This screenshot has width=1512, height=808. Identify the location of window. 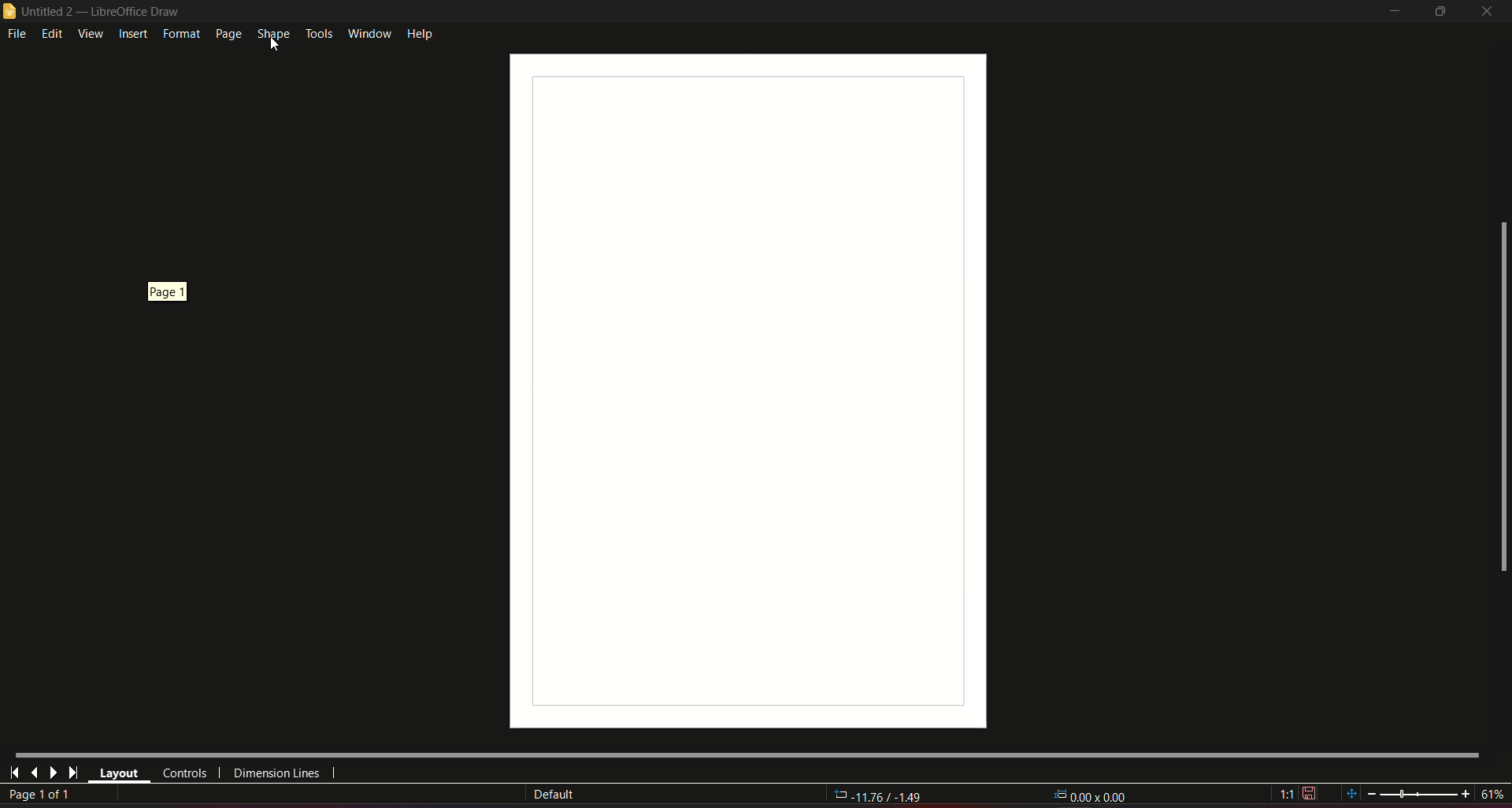
(368, 32).